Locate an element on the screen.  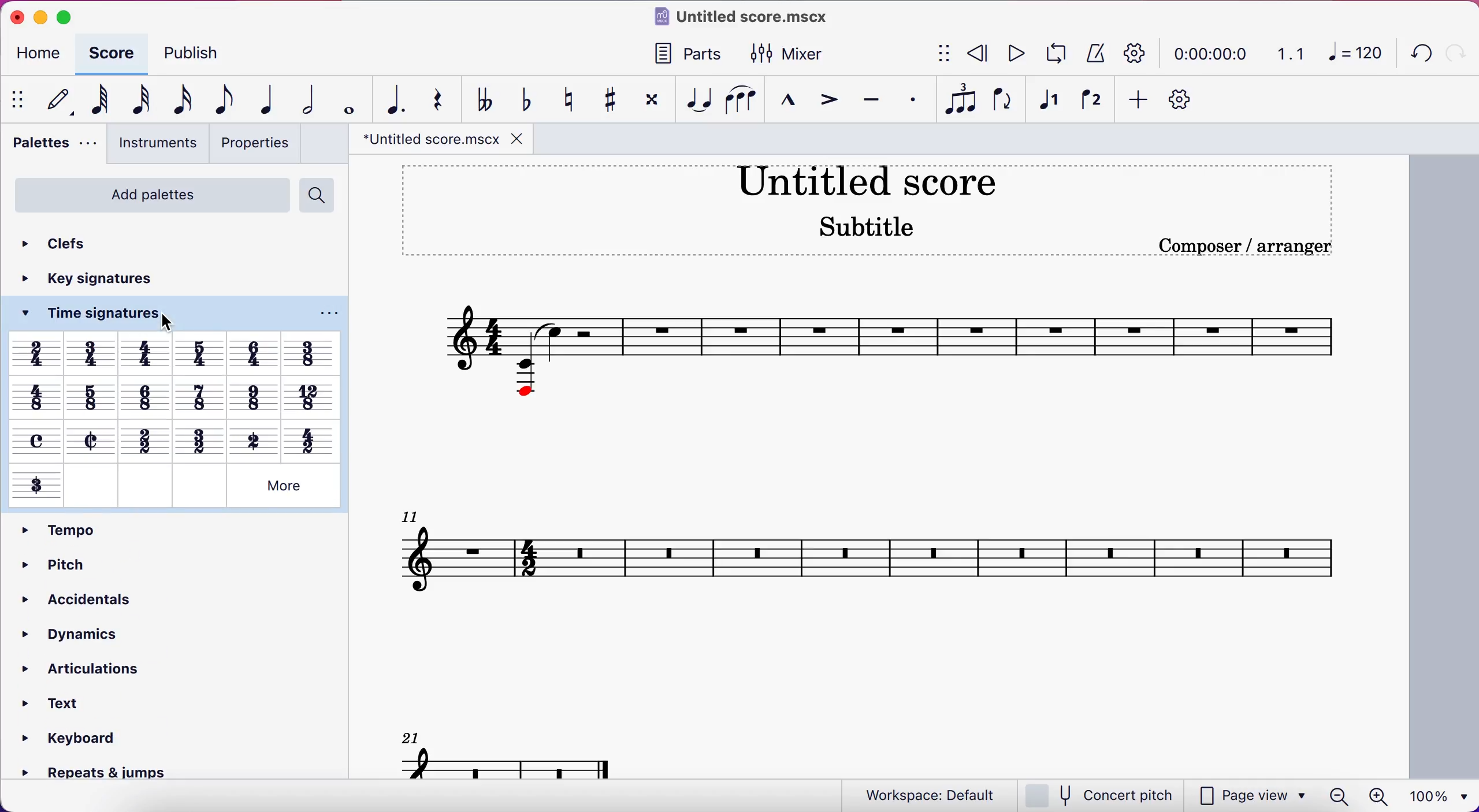
cursor is located at coordinates (171, 319).